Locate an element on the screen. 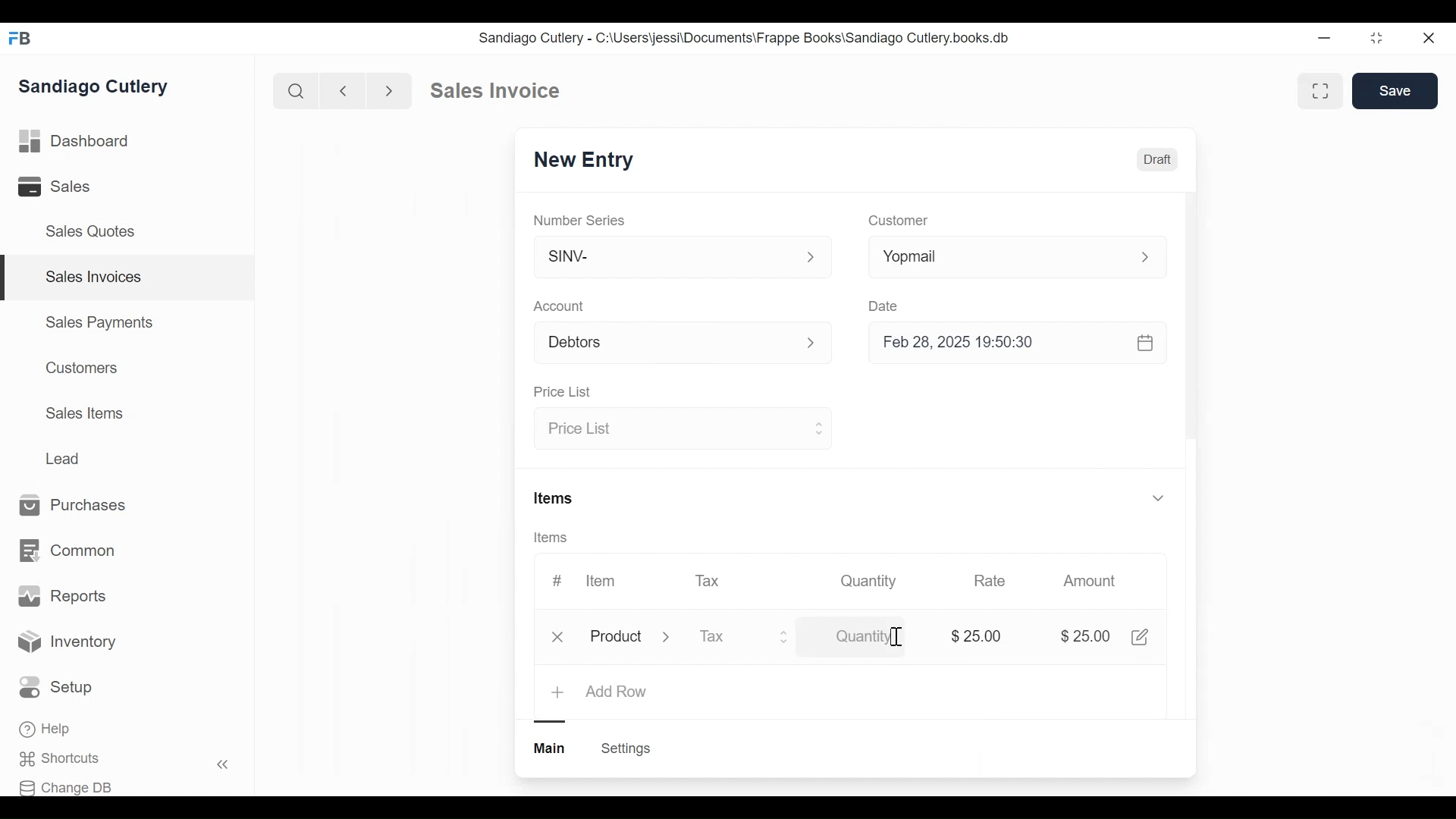 This screenshot has height=819, width=1456. share is located at coordinates (1144, 637).